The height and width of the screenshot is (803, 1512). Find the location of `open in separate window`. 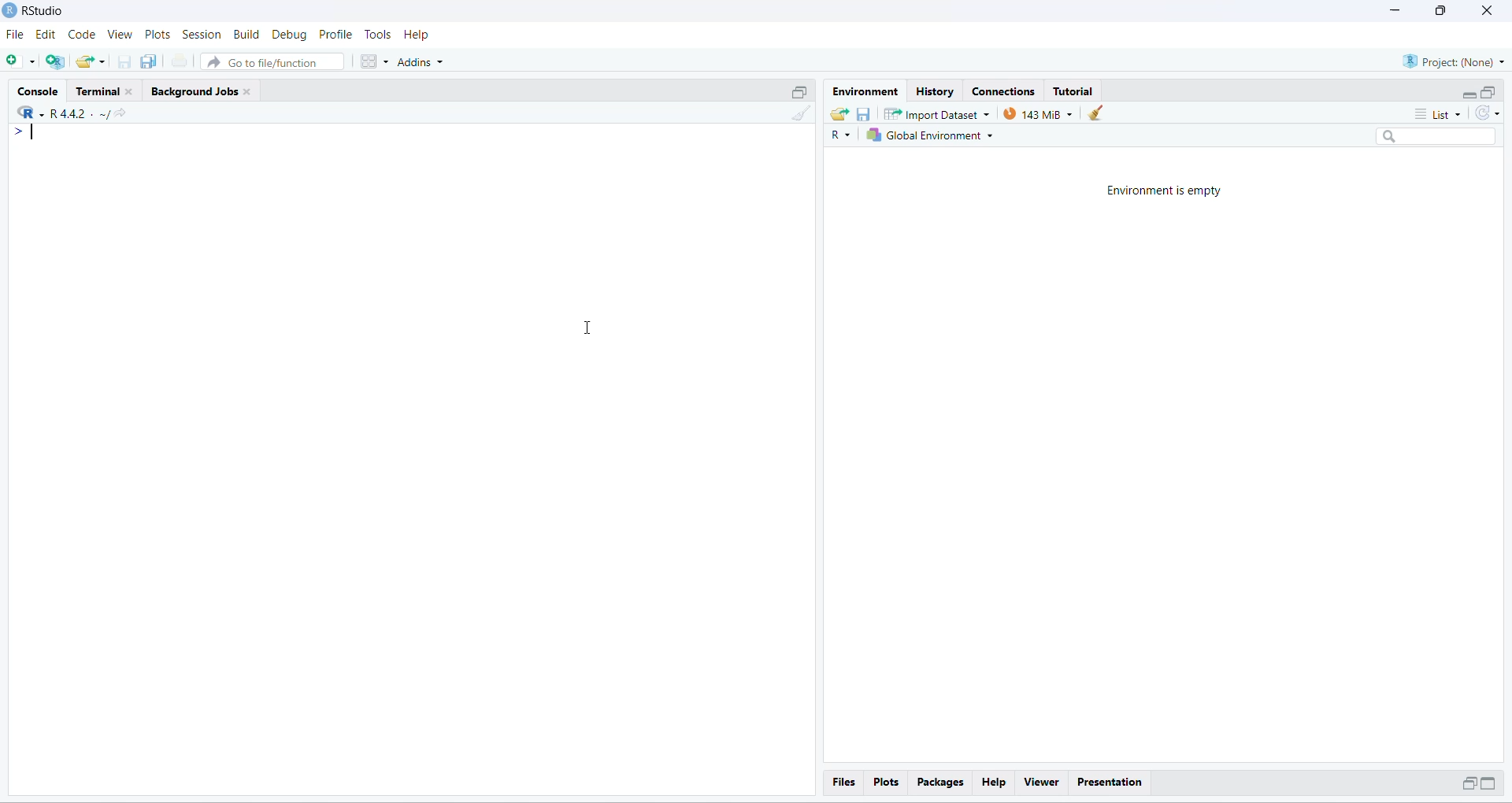

open in separate window is located at coordinates (1467, 783).